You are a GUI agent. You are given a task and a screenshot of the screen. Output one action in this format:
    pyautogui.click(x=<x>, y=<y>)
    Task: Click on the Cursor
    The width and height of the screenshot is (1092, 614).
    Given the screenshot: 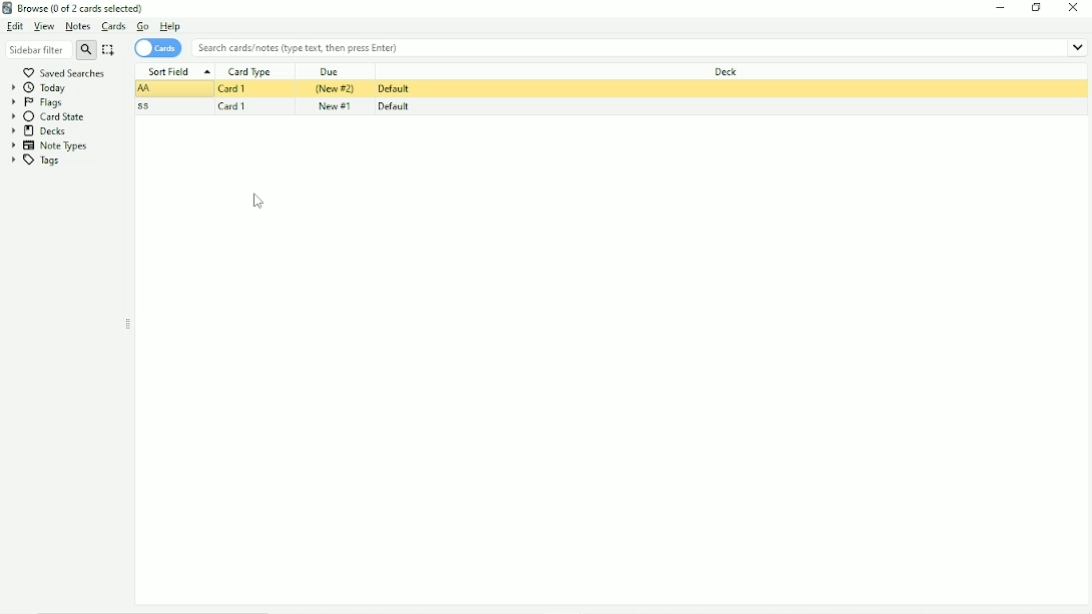 What is the action you would take?
    pyautogui.click(x=261, y=203)
    